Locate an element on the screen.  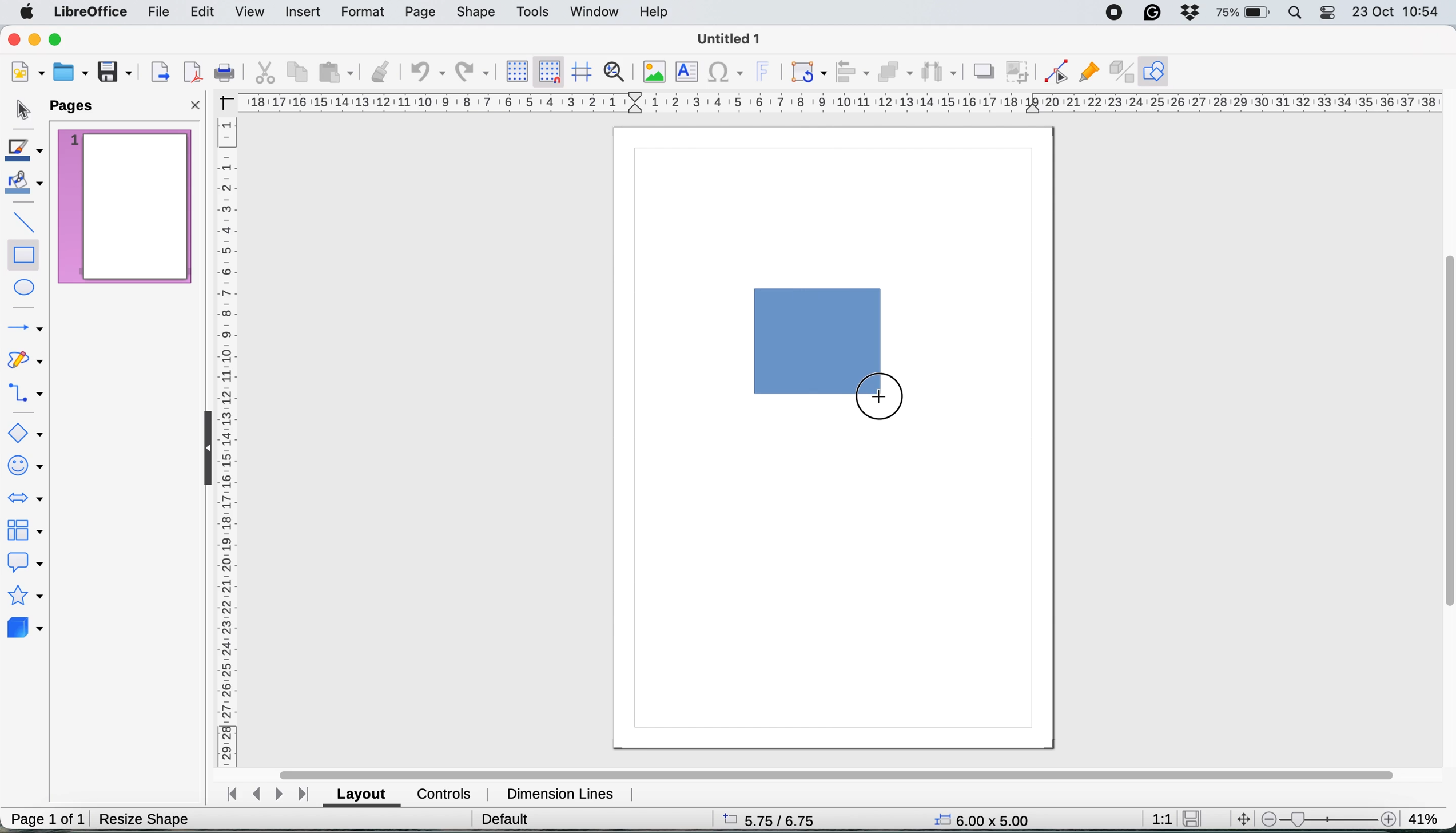
6.00x5.00 is located at coordinates (982, 818).